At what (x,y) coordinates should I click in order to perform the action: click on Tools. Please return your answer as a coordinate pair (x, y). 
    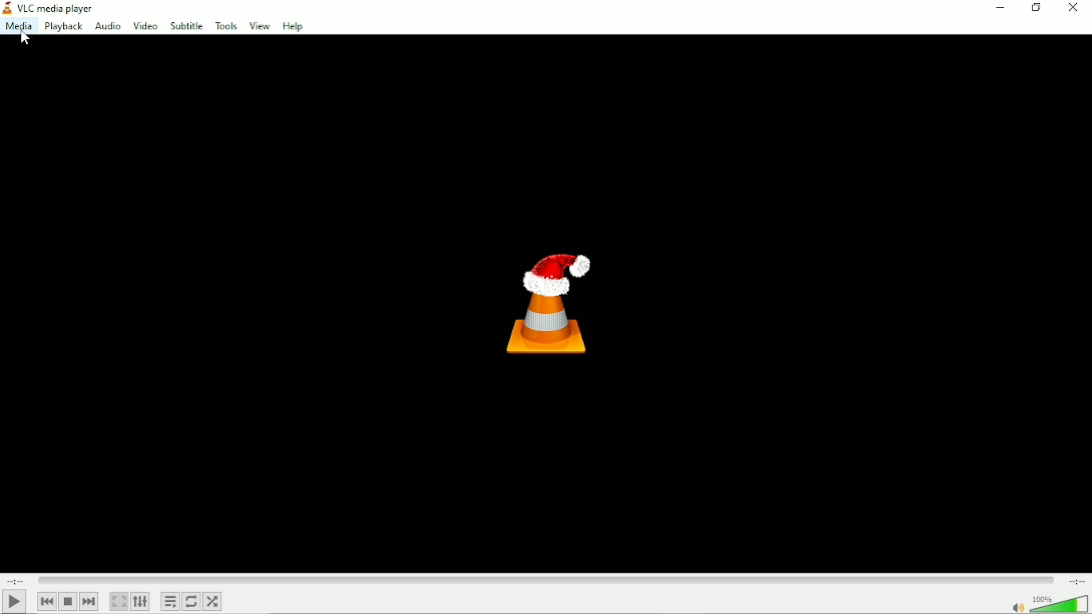
    Looking at the image, I should click on (227, 25).